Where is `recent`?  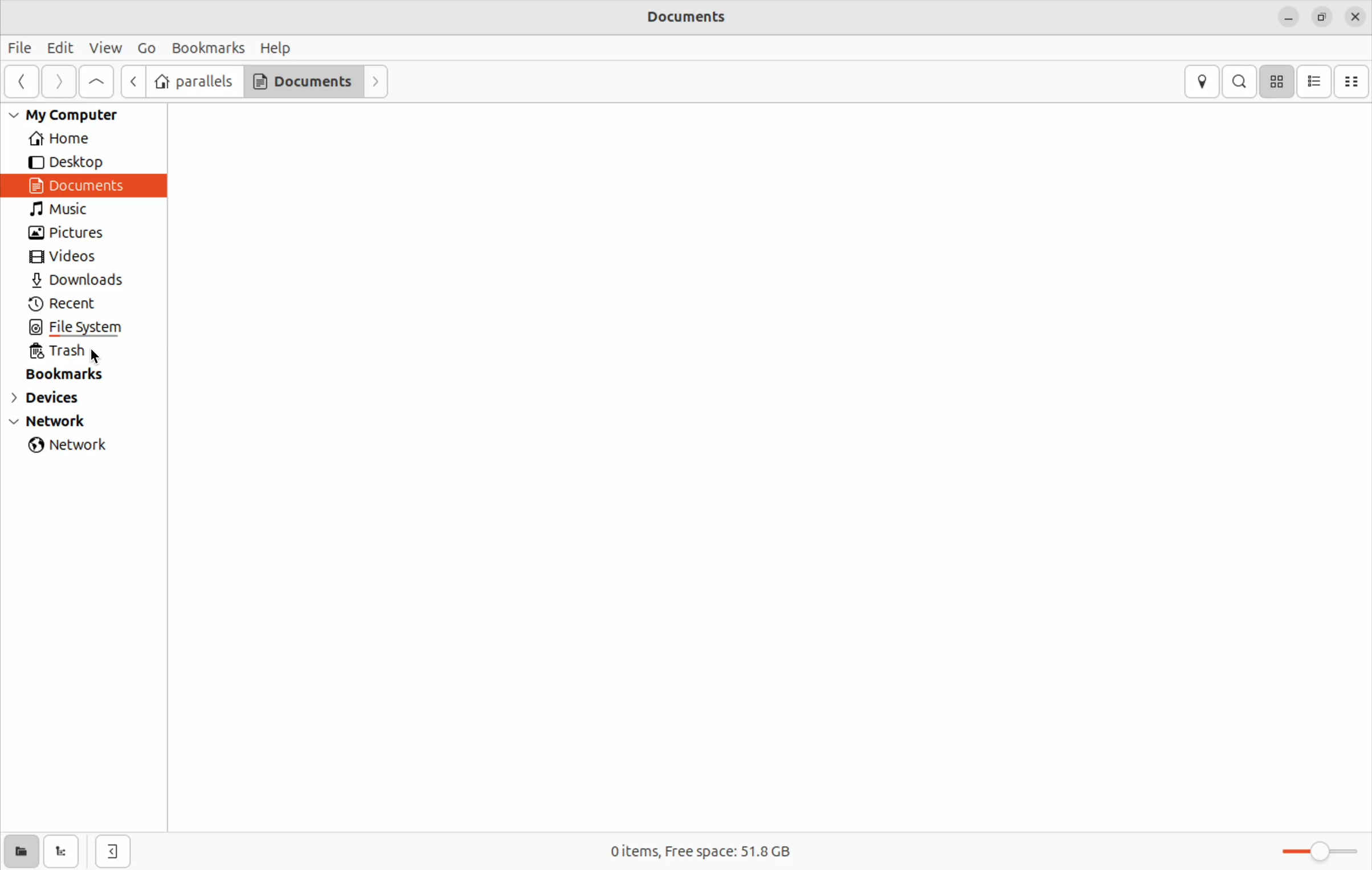
recent is located at coordinates (70, 304).